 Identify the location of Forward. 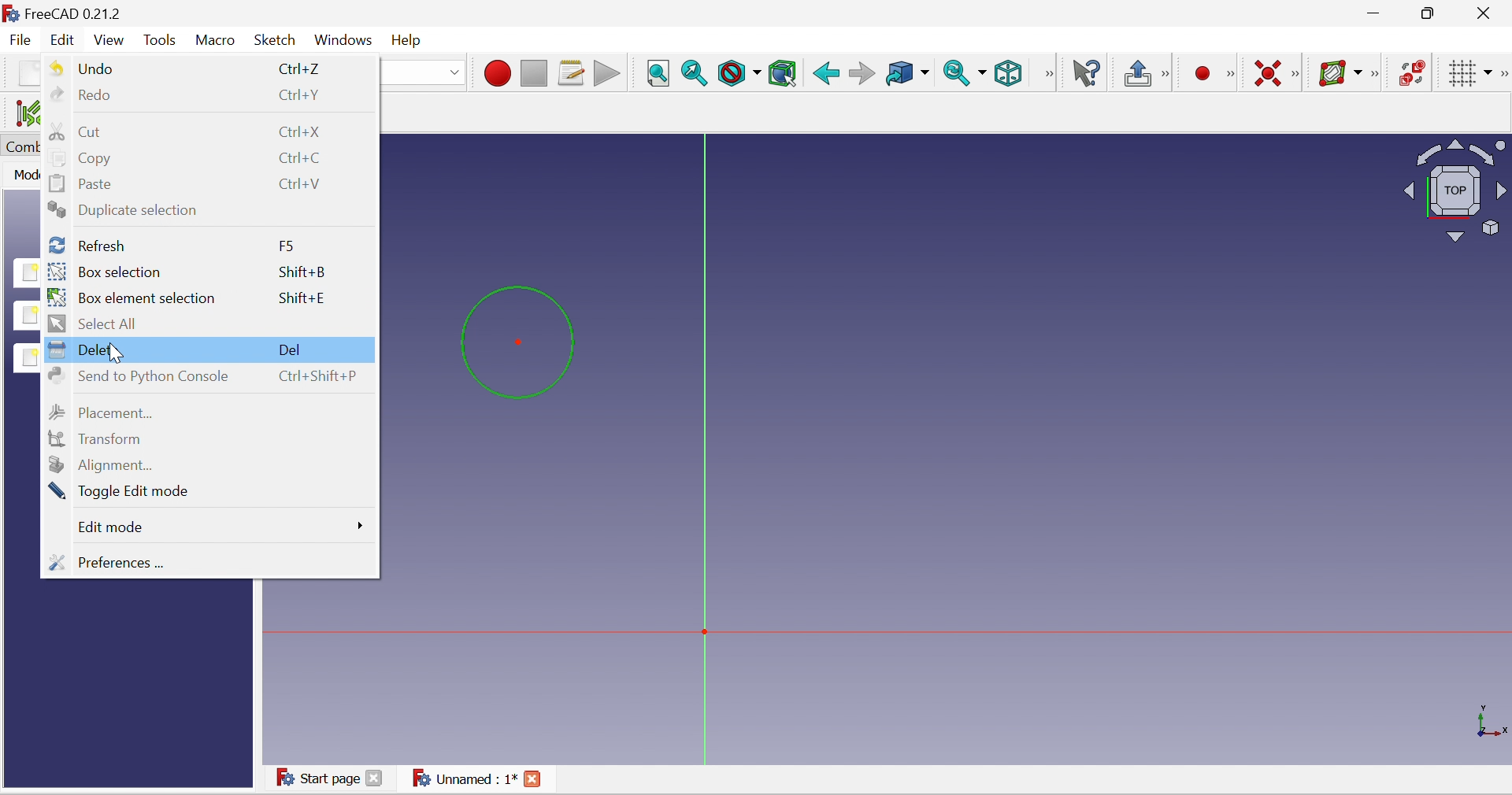
(861, 73).